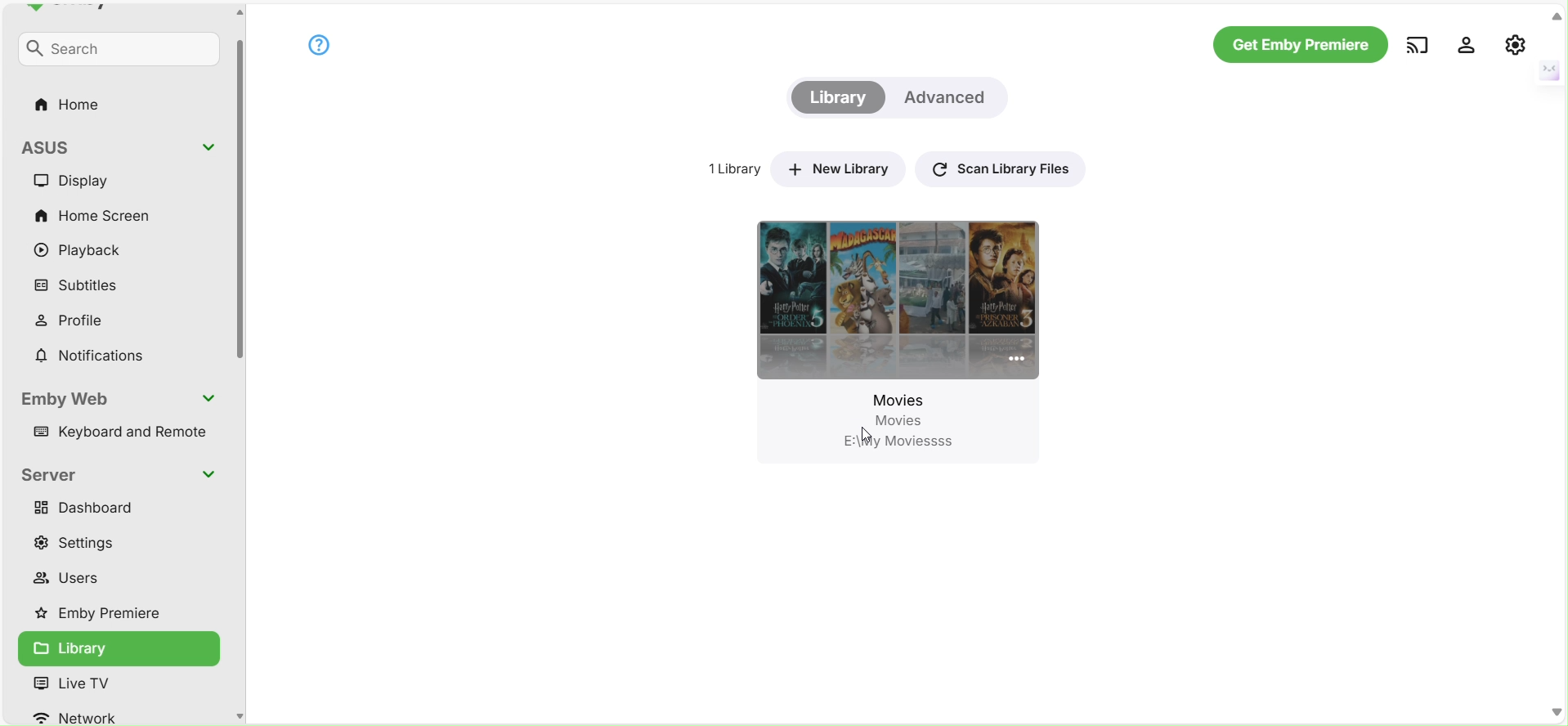 This screenshot has width=1568, height=726. I want to click on Advanced, so click(949, 97).